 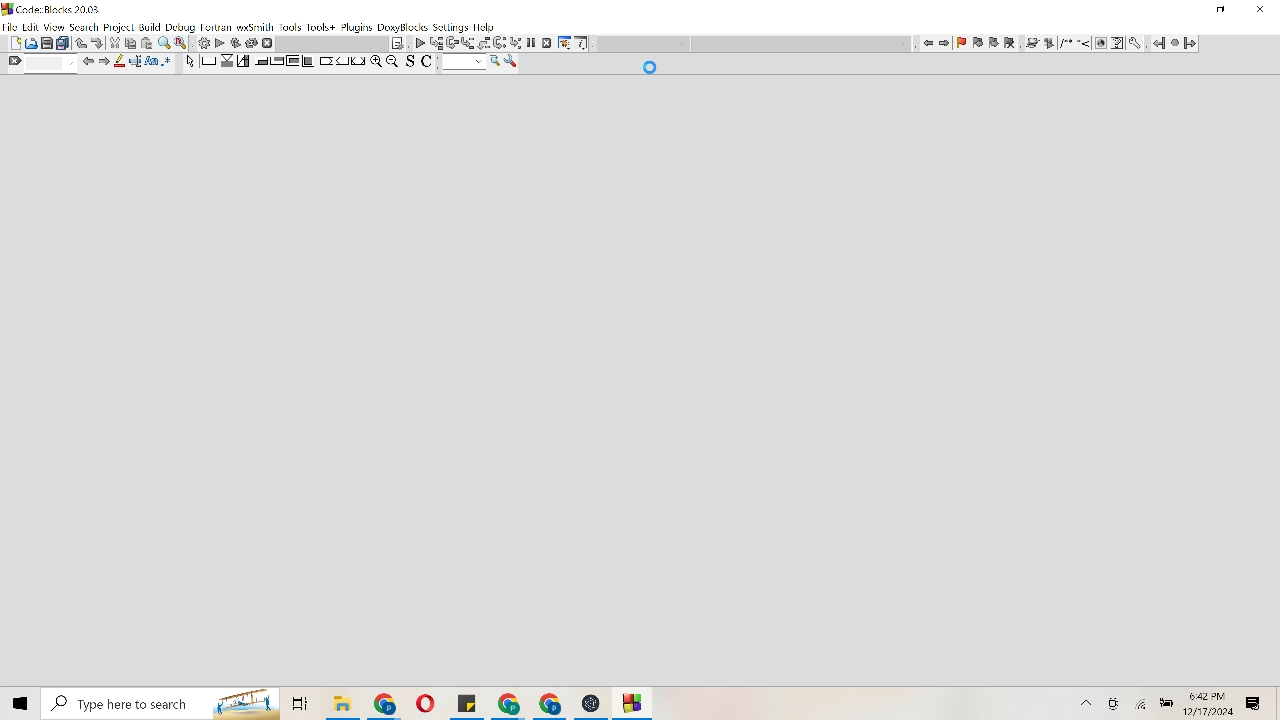 What do you see at coordinates (105, 61) in the screenshot?
I see `Move right` at bounding box center [105, 61].